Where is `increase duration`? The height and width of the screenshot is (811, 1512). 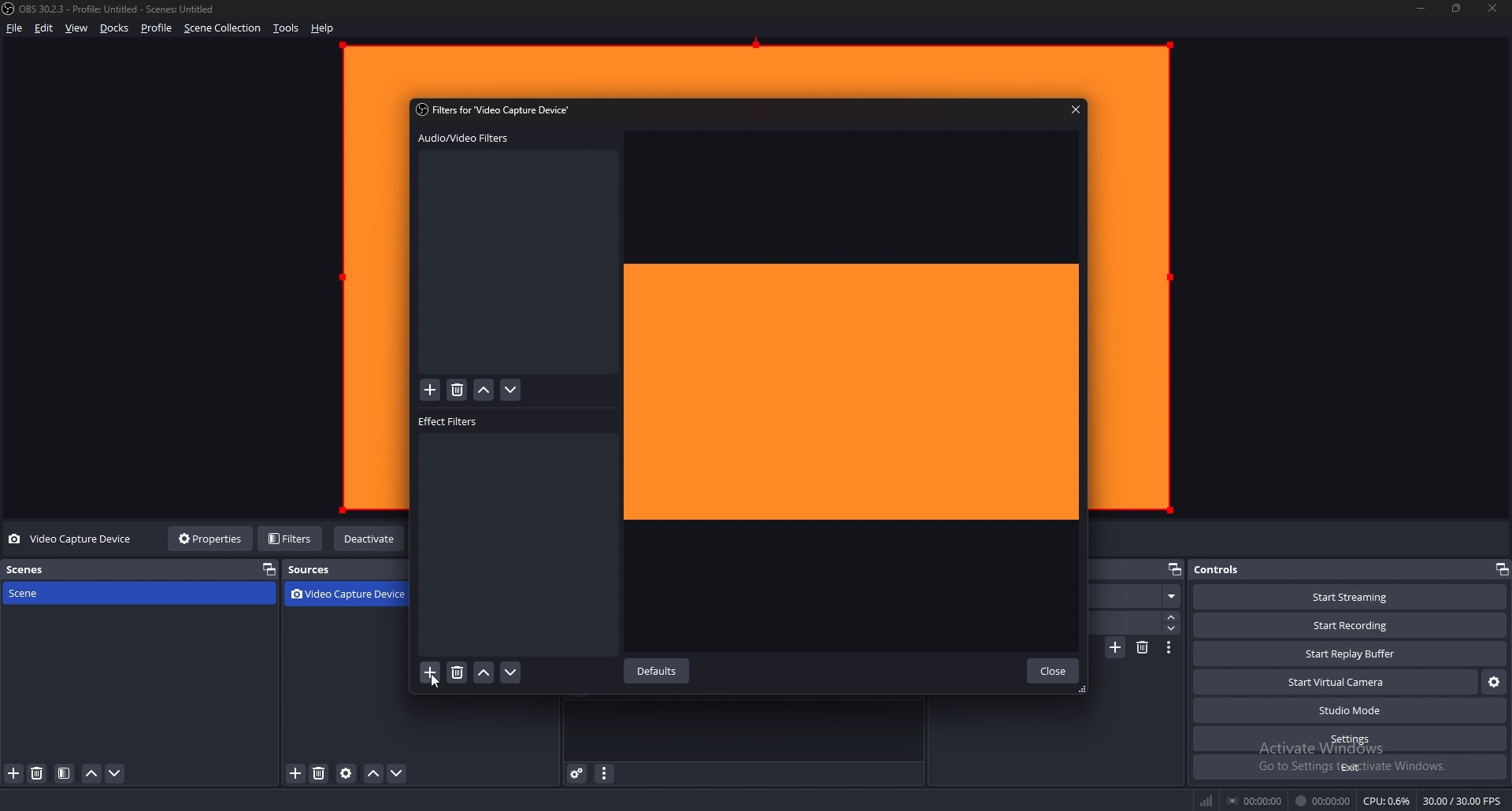 increase duration is located at coordinates (1172, 617).